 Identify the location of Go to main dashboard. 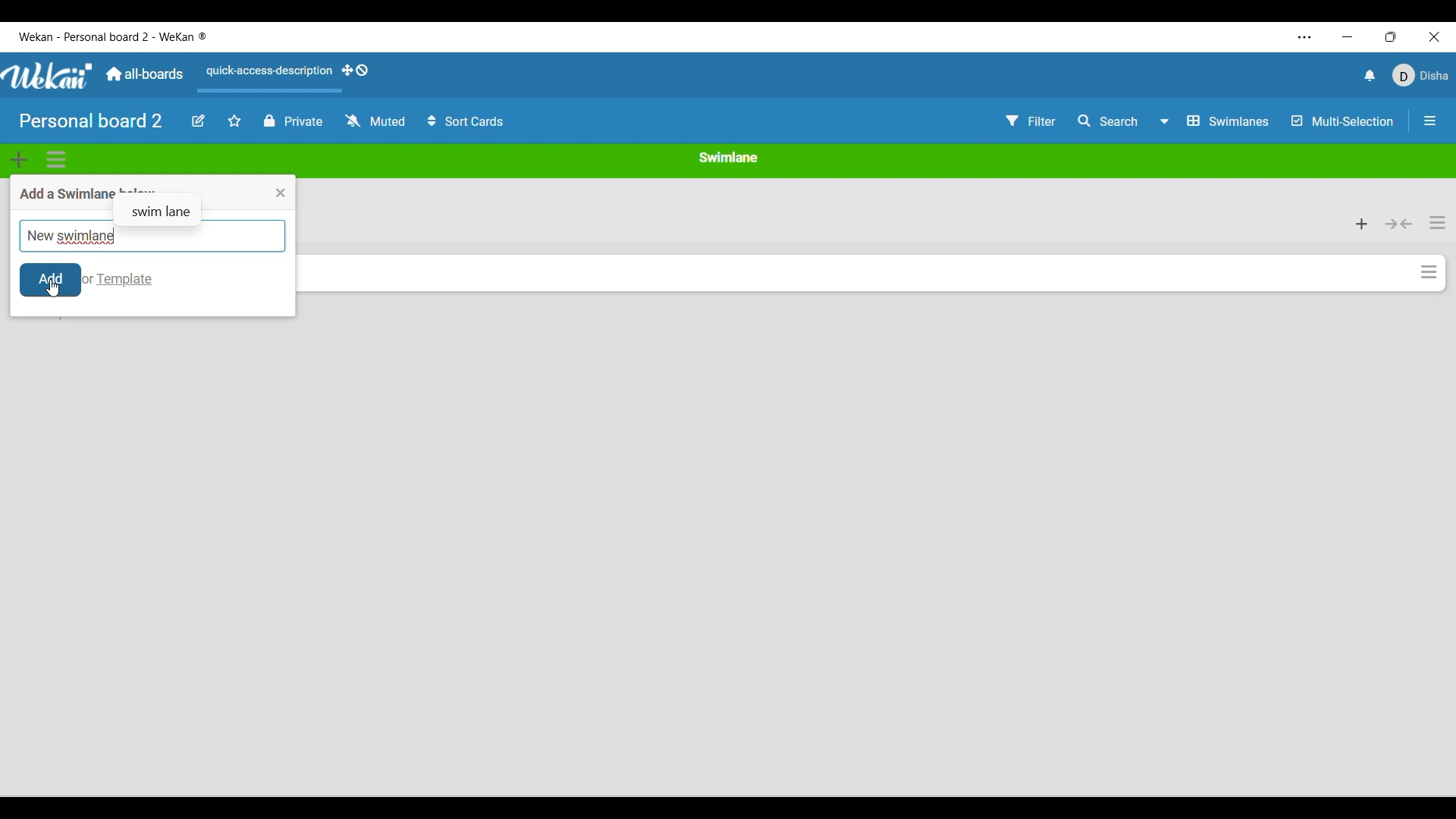
(145, 74).